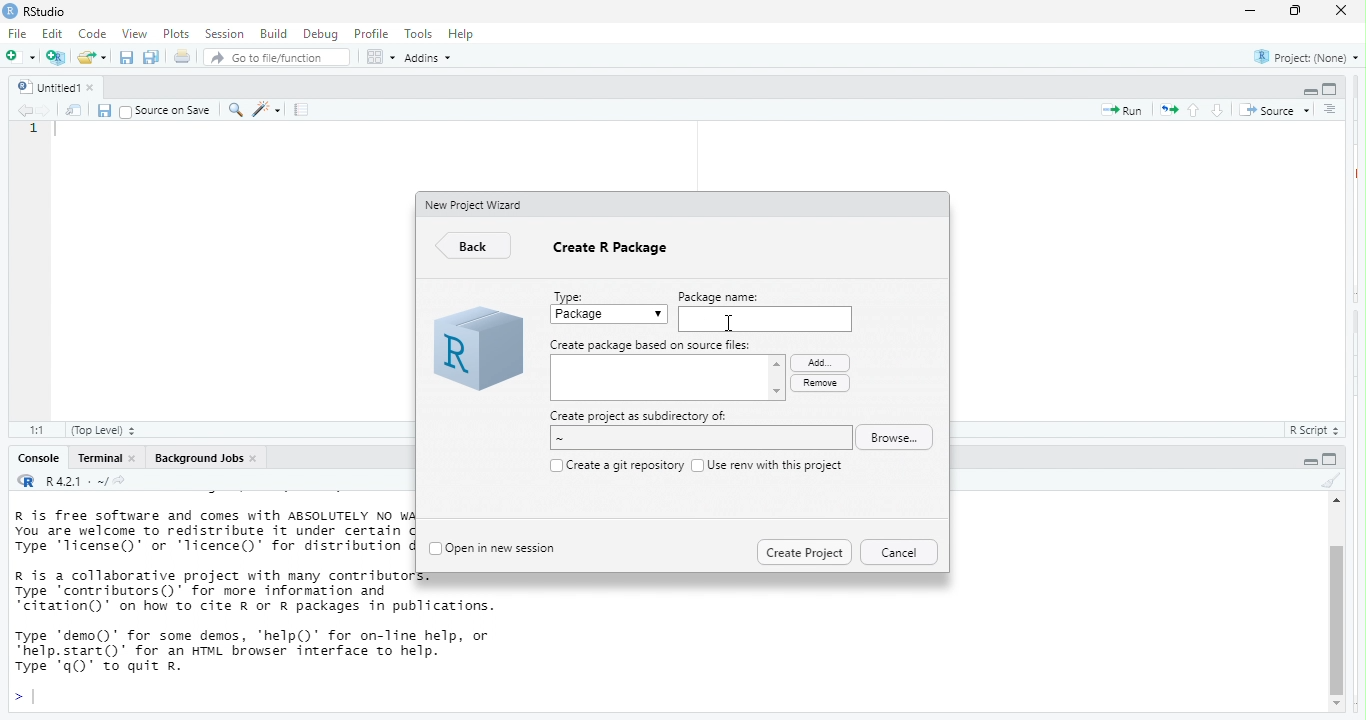 The image size is (1366, 720). Describe the element at coordinates (1305, 461) in the screenshot. I see `hide r script` at that location.